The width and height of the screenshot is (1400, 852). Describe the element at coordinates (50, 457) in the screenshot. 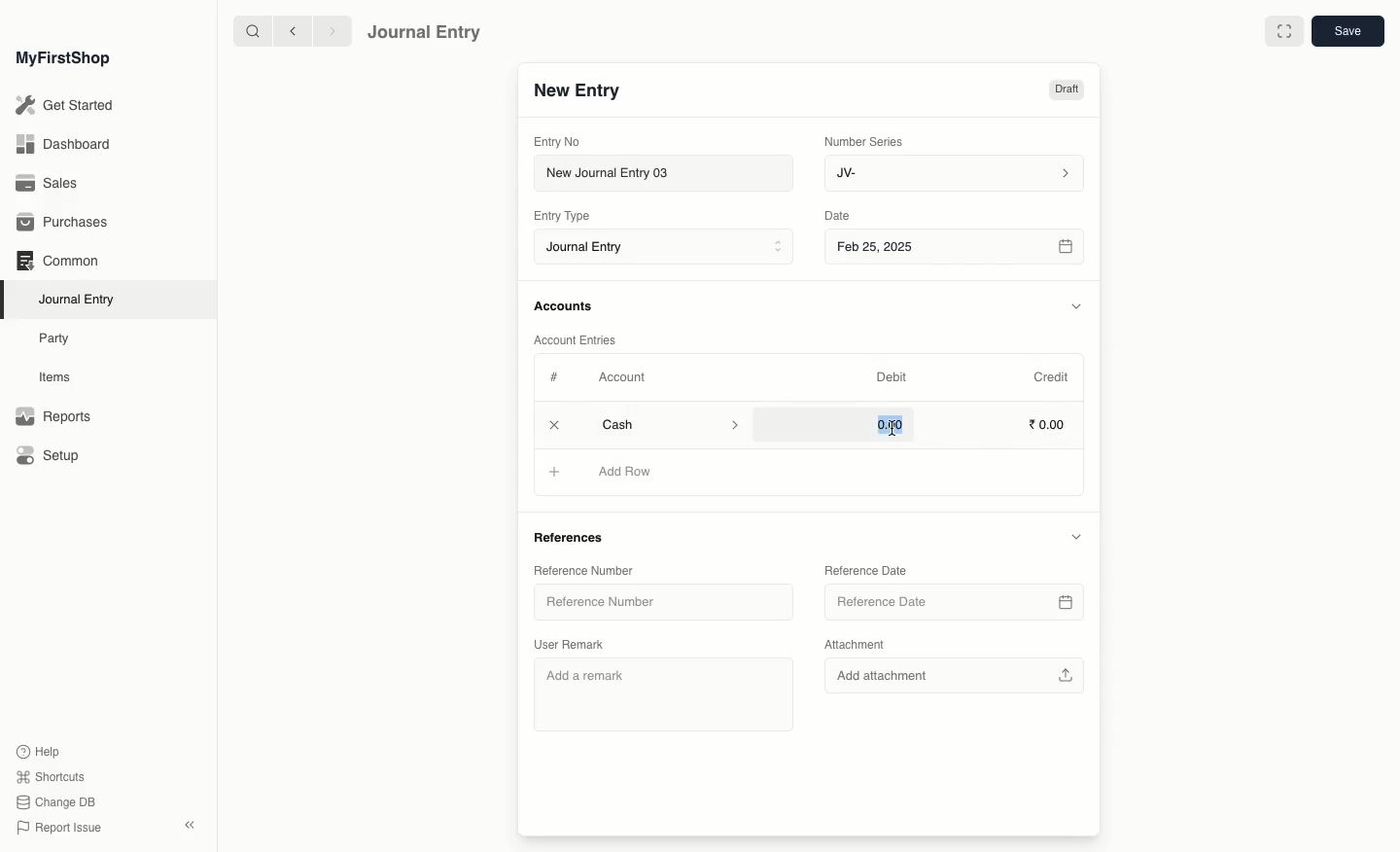

I see `Setup` at that location.